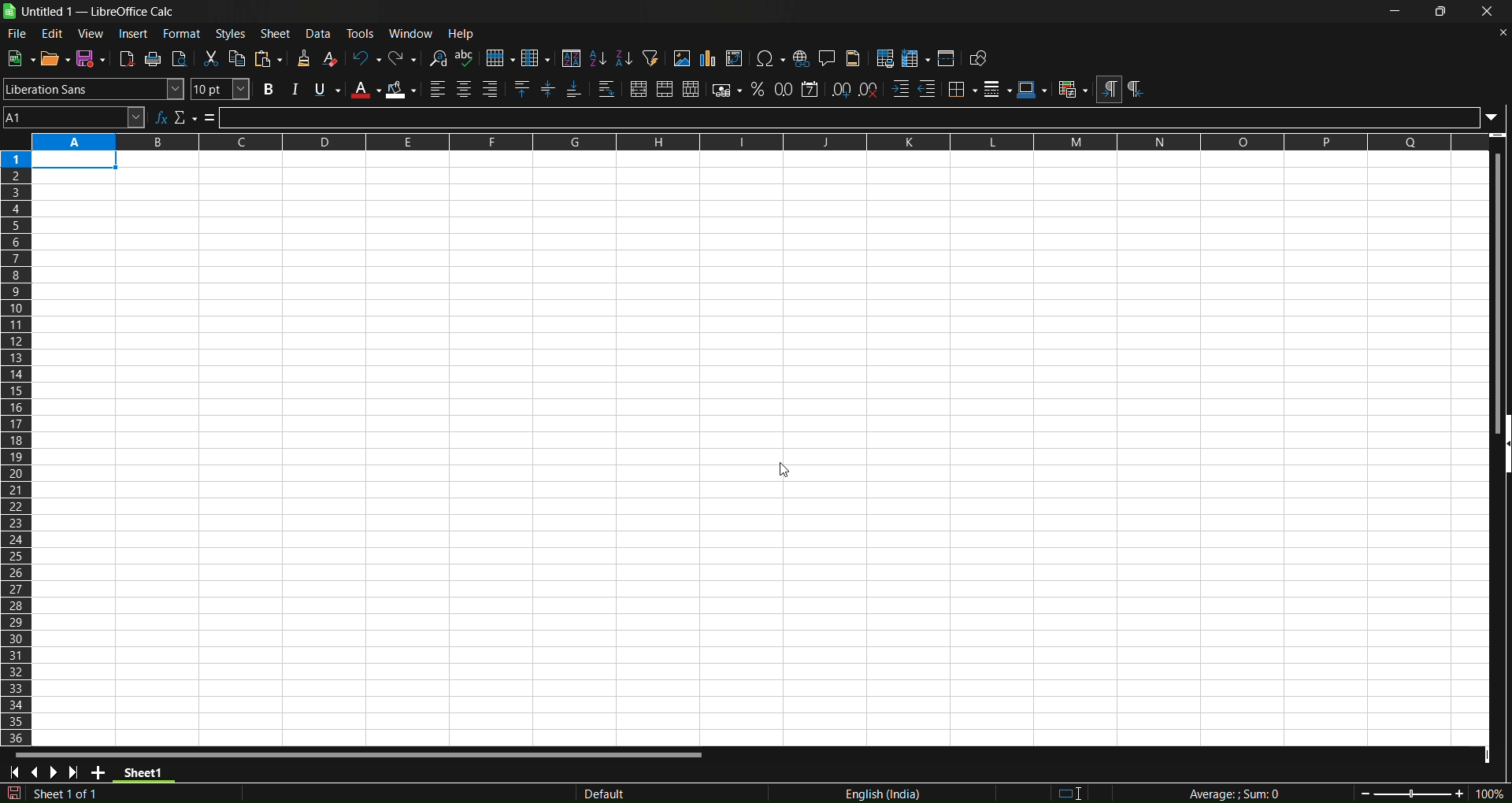 The image size is (1512, 803). I want to click on help, so click(465, 34).